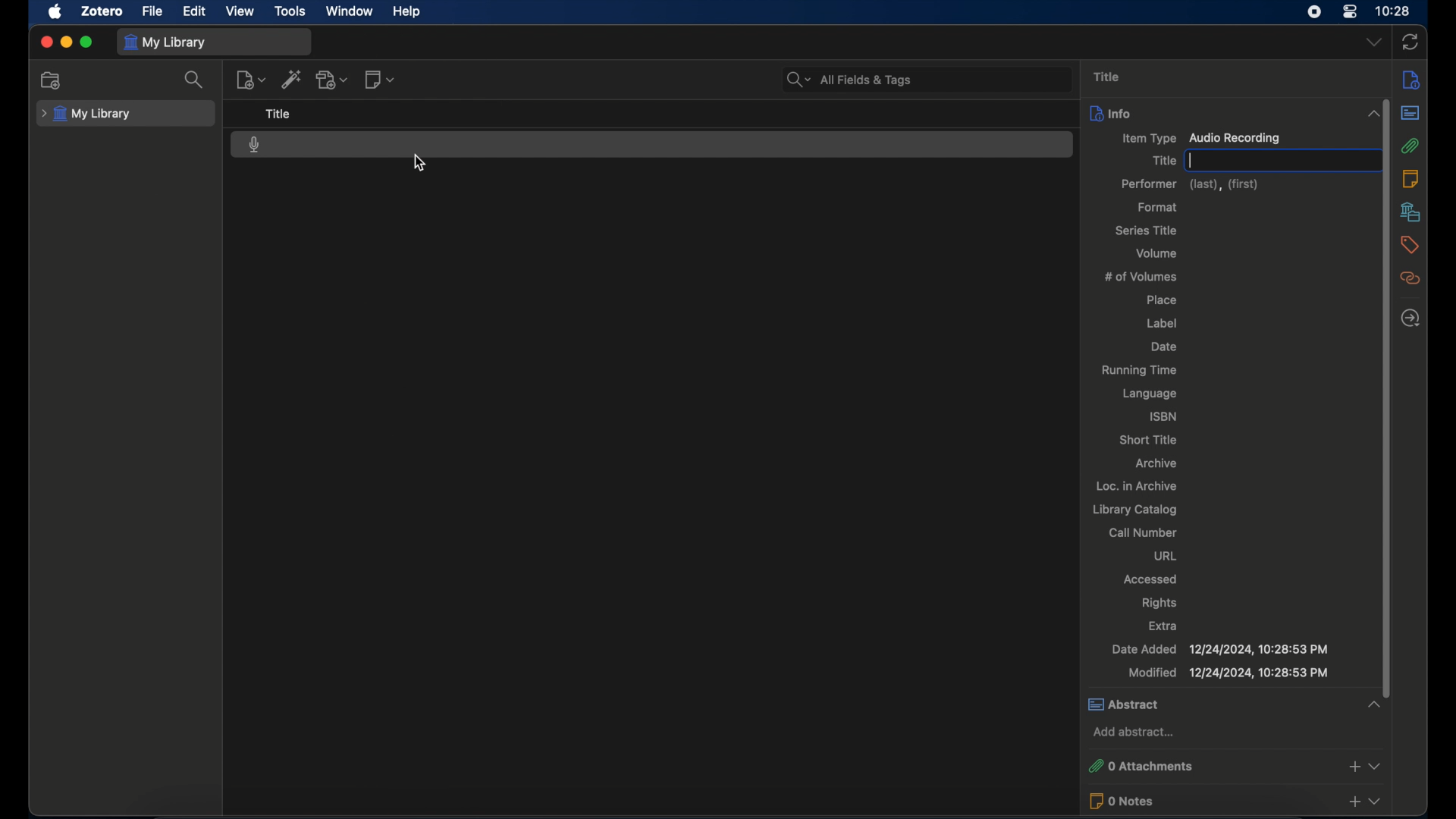  What do you see at coordinates (195, 12) in the screenshot?
I see `edit` at bounding box center [195, 12].